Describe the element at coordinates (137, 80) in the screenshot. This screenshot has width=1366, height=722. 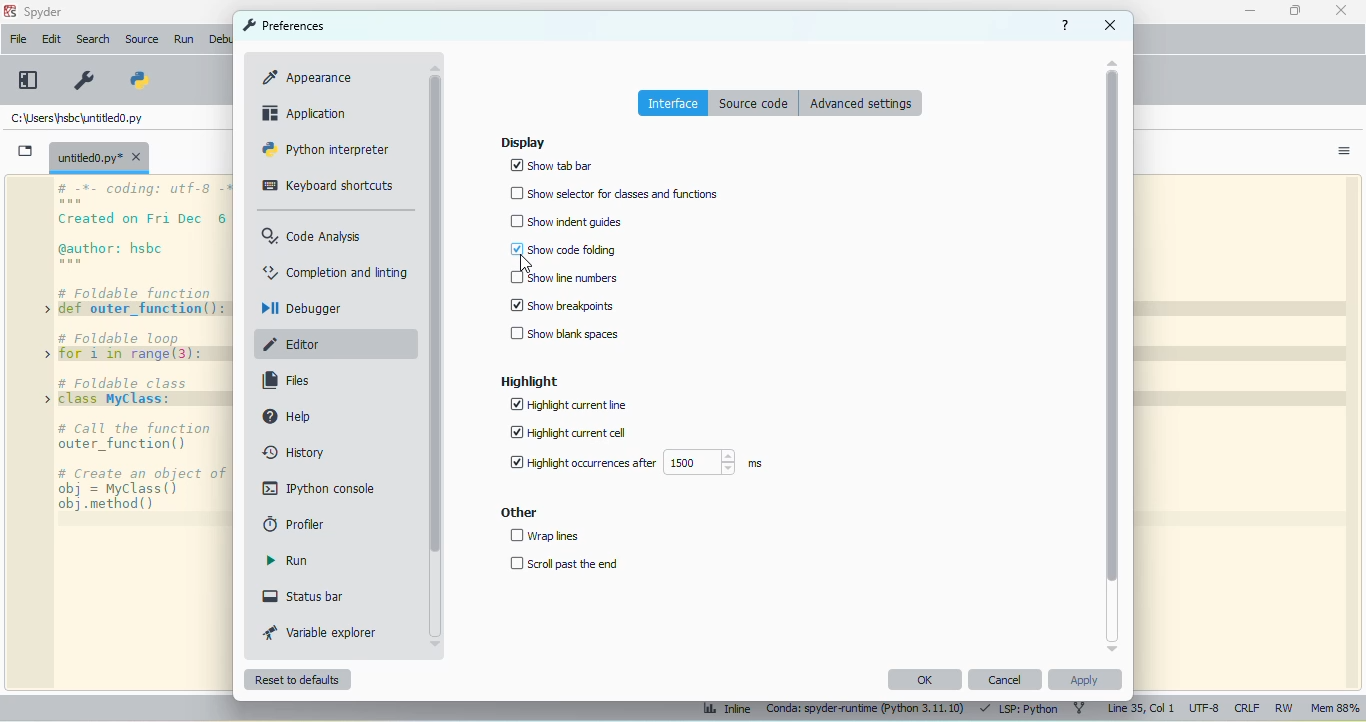
I see `PYTHONPATH manager` at that location.